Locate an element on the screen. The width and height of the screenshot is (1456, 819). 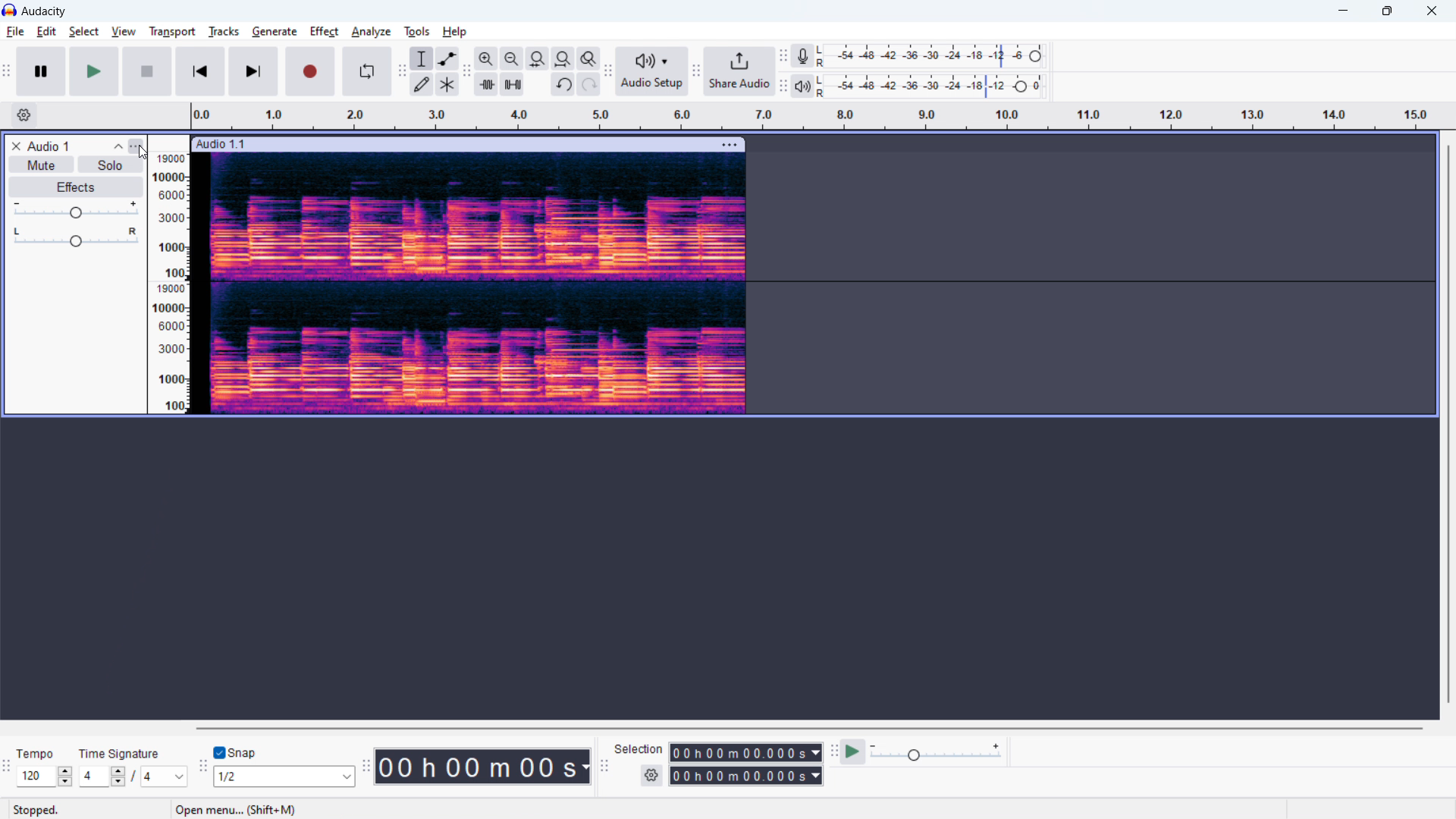
play is located at coordinates (93, 71).